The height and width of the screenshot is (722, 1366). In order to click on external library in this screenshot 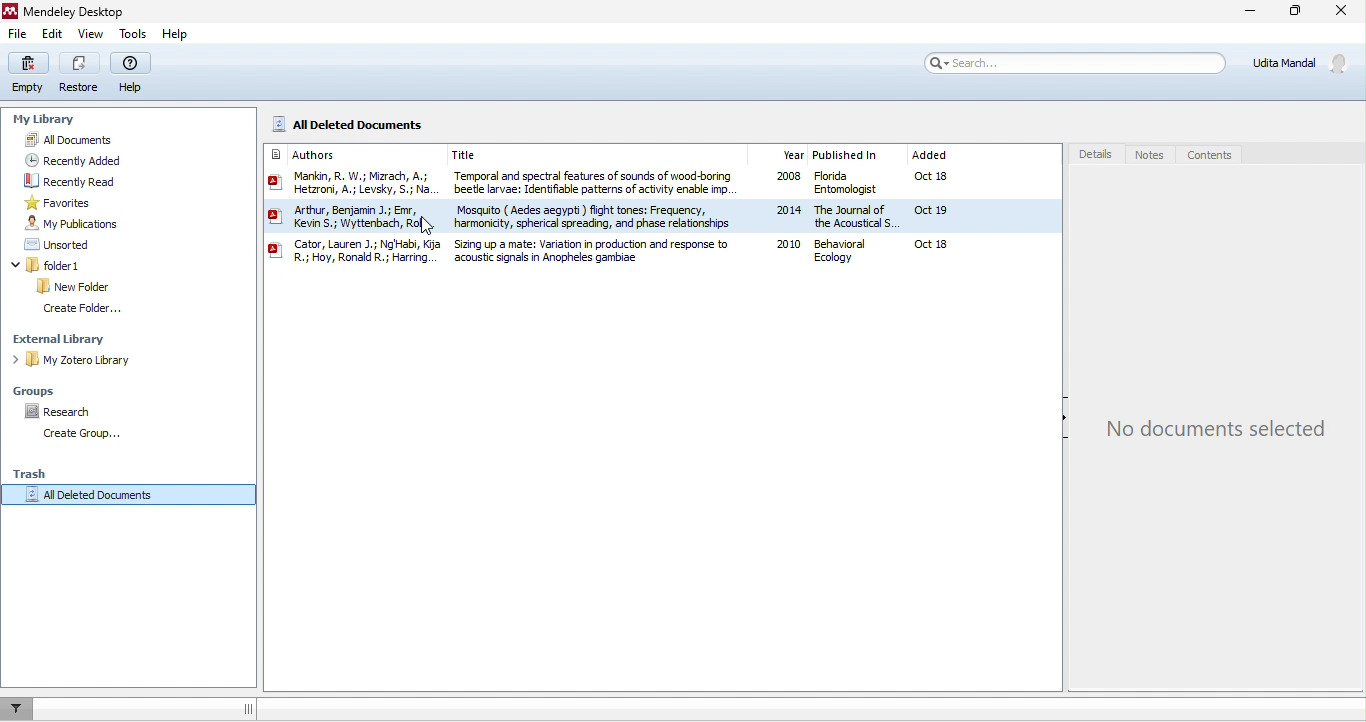, I will do `click(64, 337)`.